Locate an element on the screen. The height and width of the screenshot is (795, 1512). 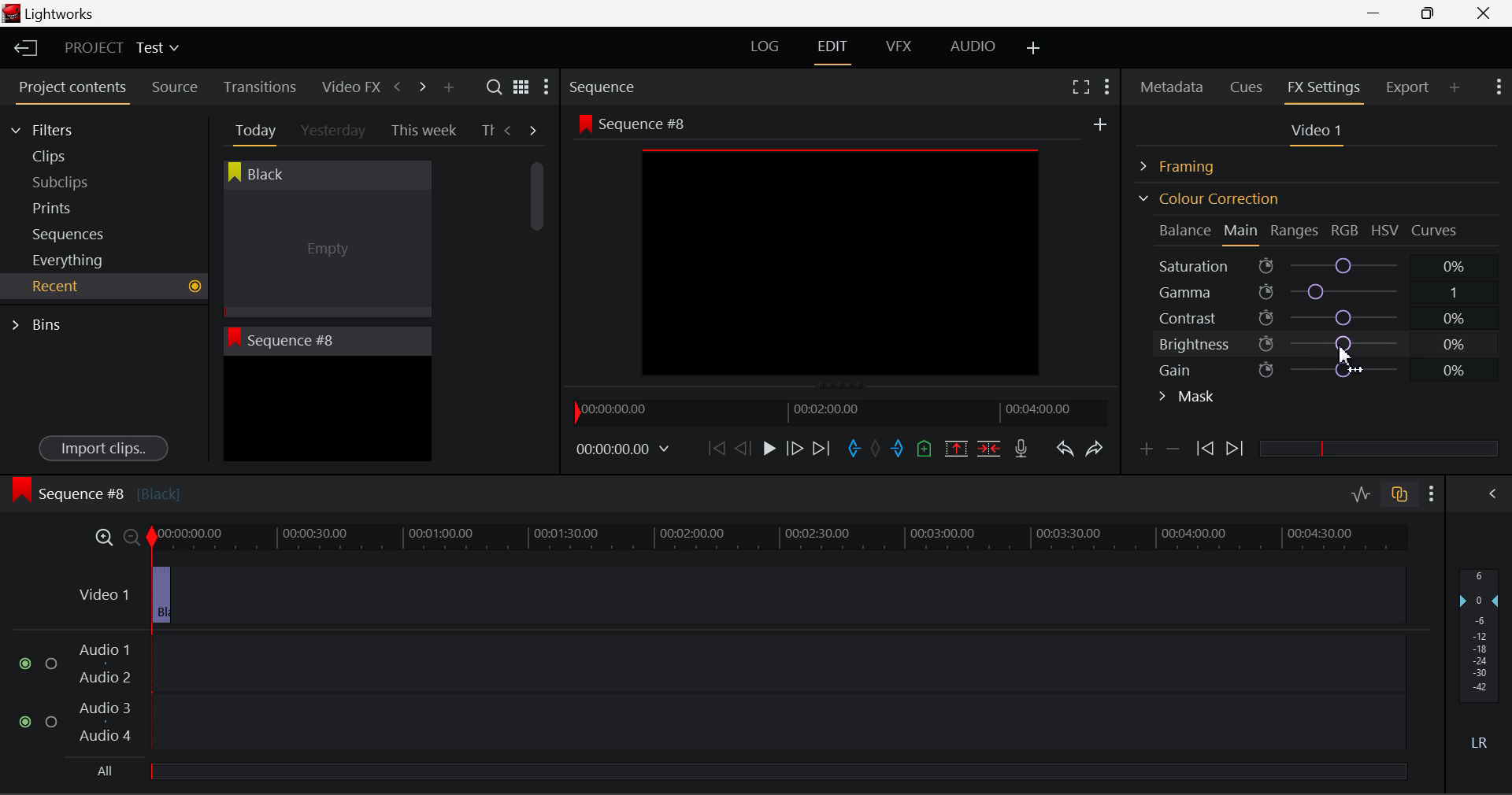
Saturation is located at coordinates (1314, 263).